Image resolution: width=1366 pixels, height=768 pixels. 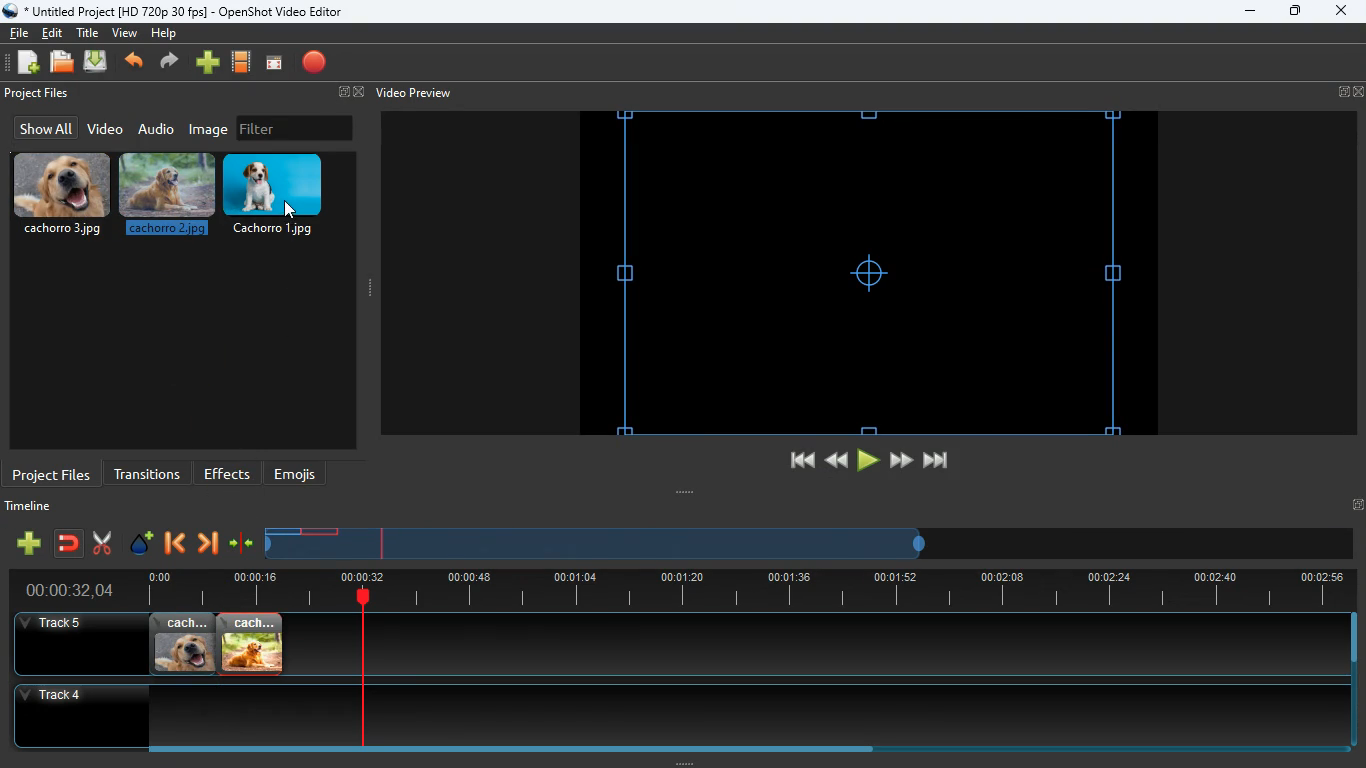 I want to click on project files, so click(x=39, y=94).